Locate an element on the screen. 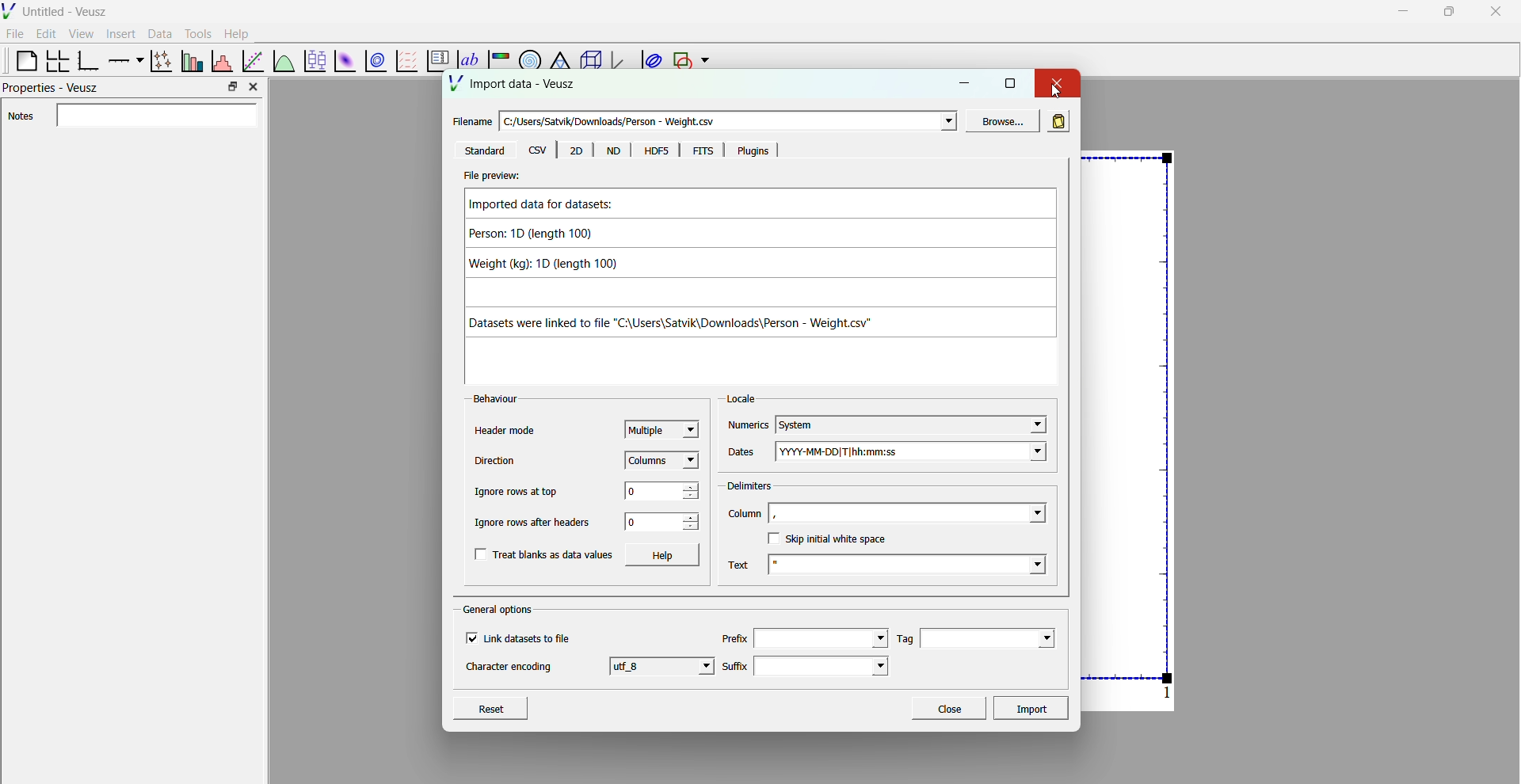 Image resolution: width=1521 pixels, height=784 pixels. Text -dropdown is located at coordinates (921, 568).